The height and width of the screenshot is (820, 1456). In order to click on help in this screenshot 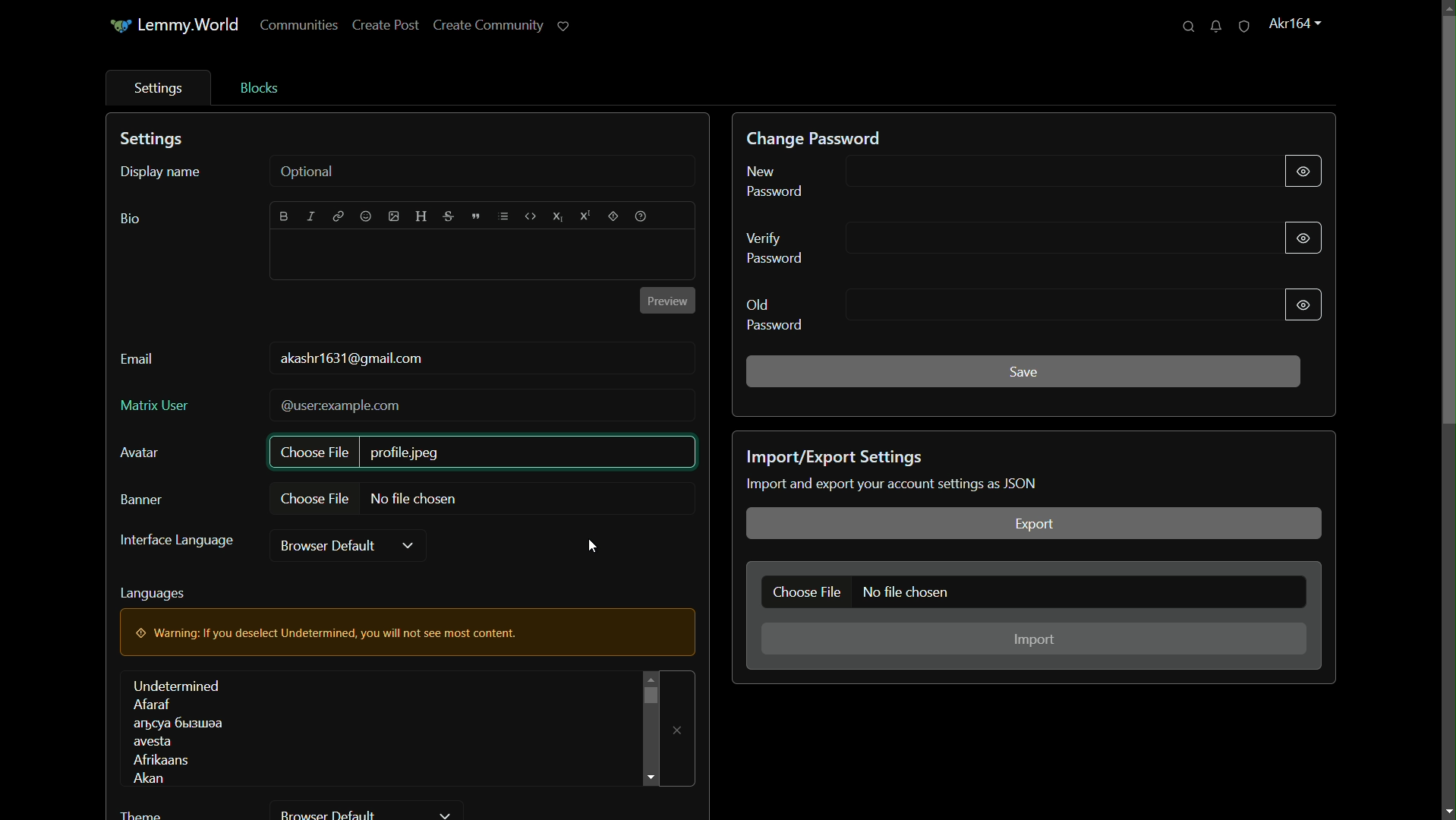, I will do `click(642, 216)`.